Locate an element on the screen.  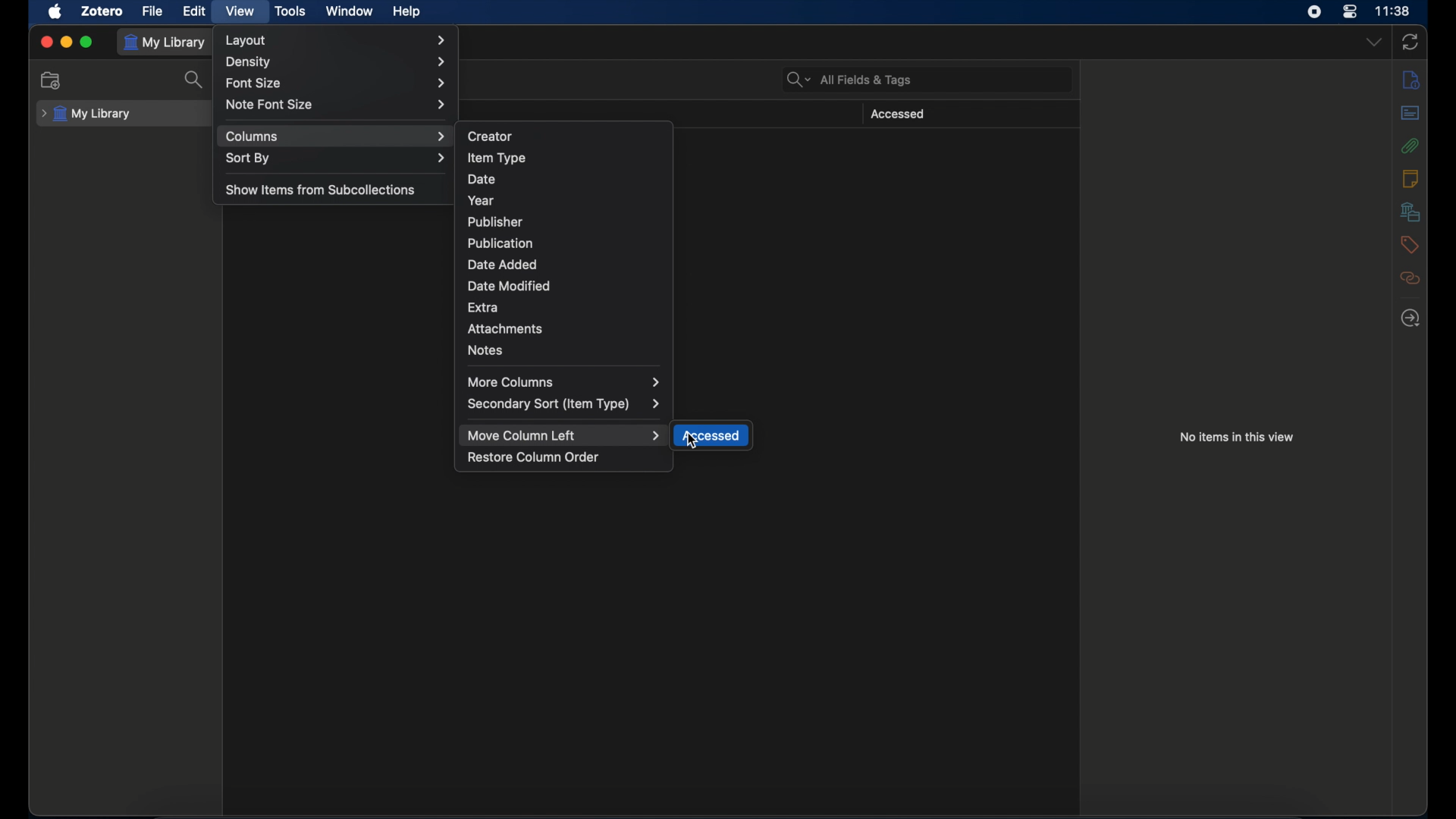
publisher is located at coordinates (493, 222).